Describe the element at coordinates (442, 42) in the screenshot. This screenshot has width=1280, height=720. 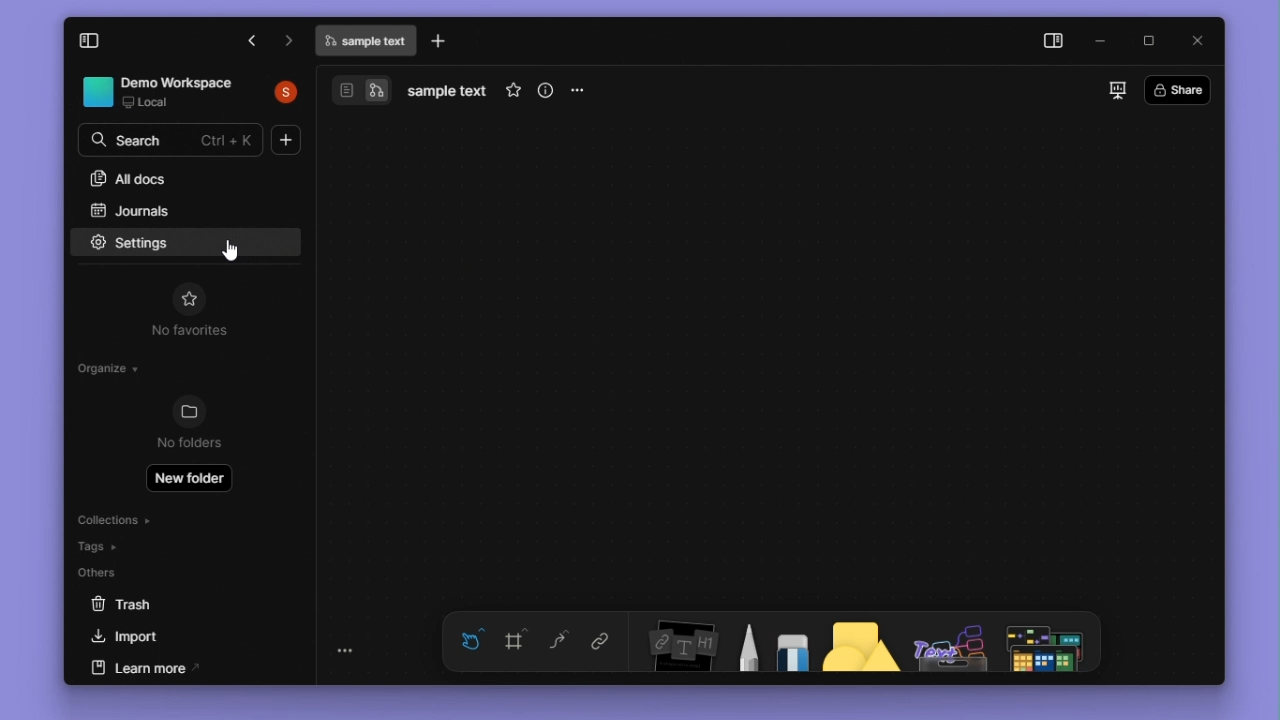
I see `new tab` at that location.